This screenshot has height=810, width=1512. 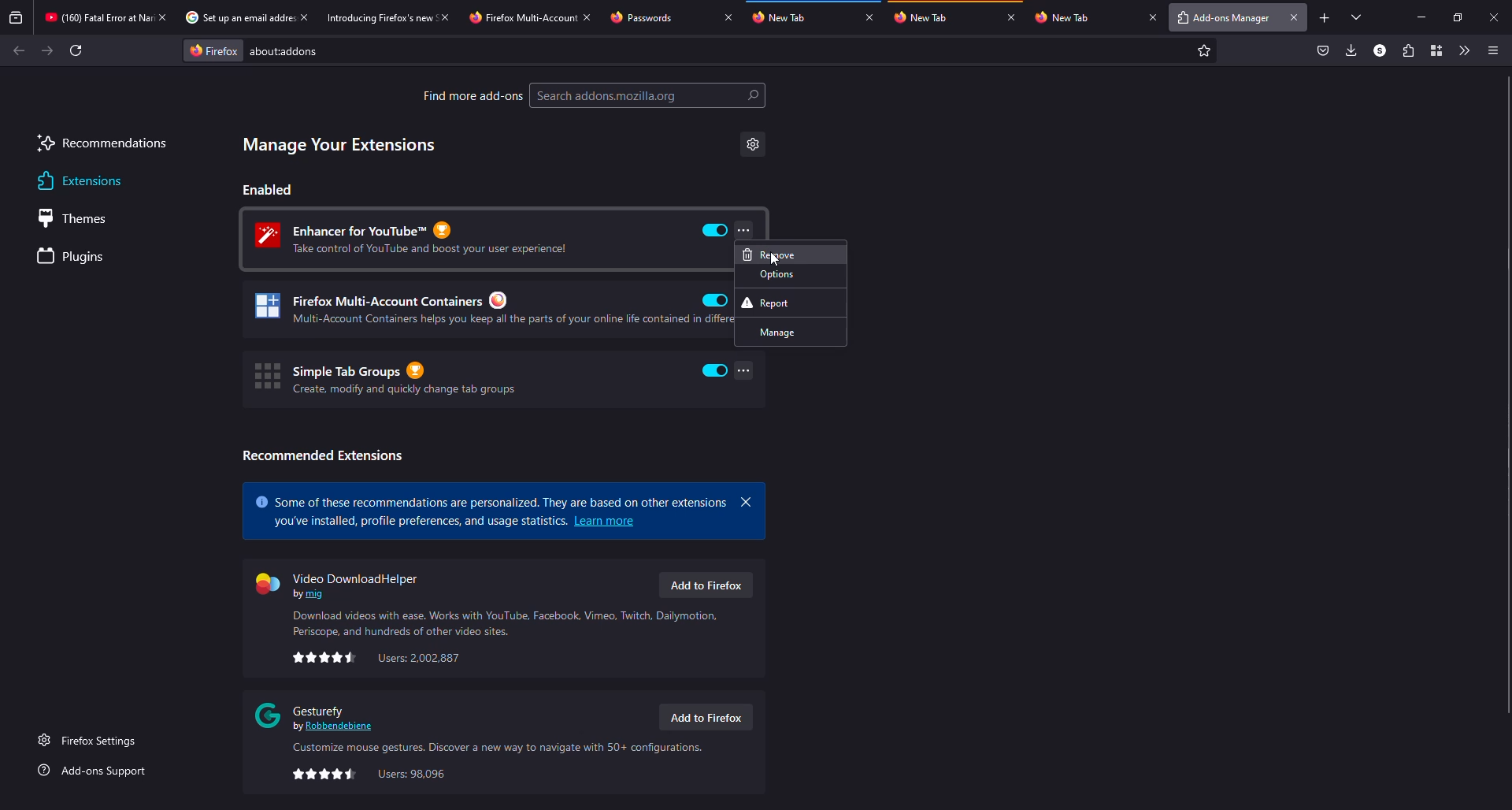 What do you see at coordinates (318, 715) in the screenshot?
I see `gesturefy` at bounding box center [318, 715].